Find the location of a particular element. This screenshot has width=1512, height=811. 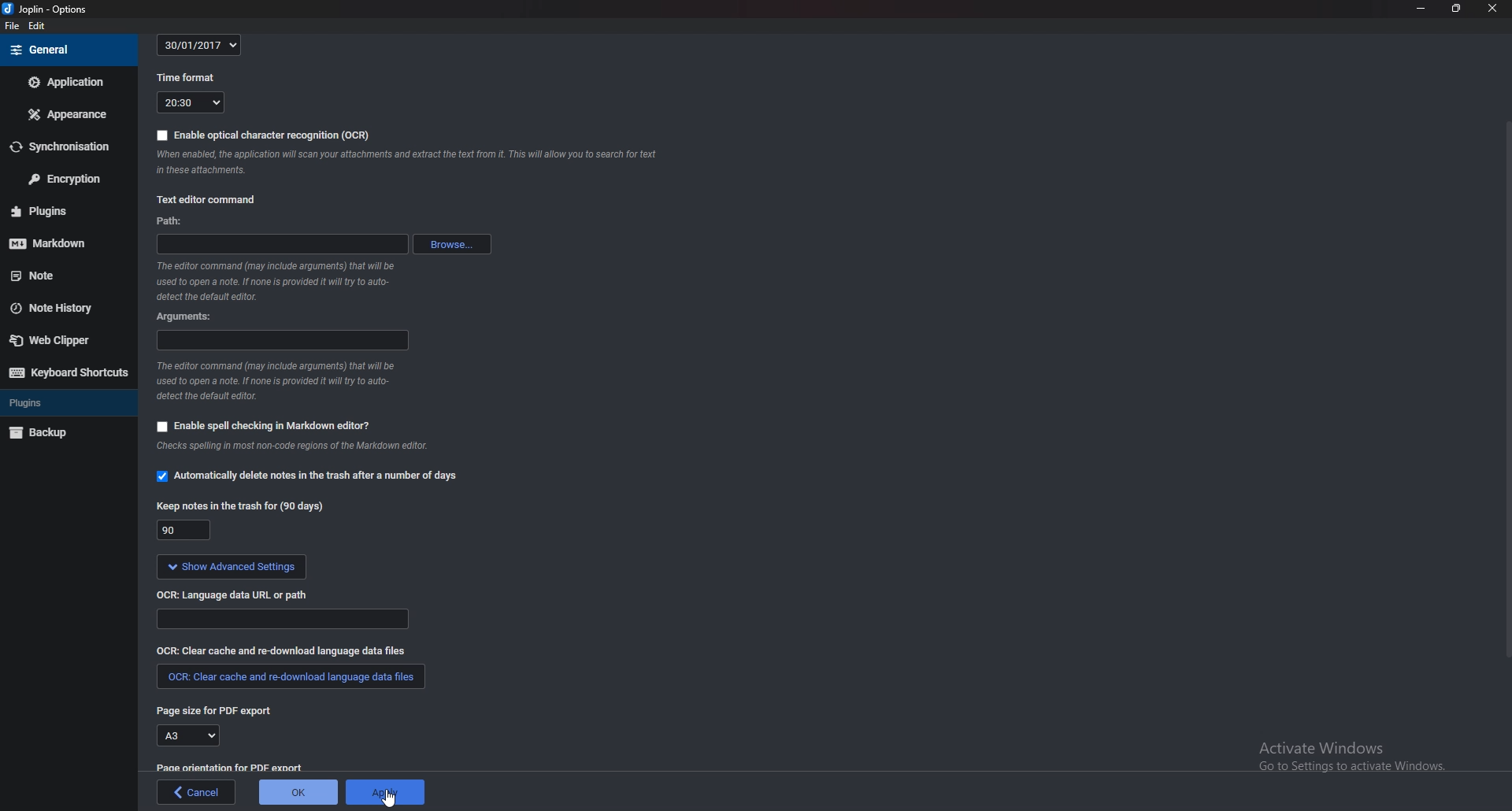

Synchronization is located at coordinates (66, 146).